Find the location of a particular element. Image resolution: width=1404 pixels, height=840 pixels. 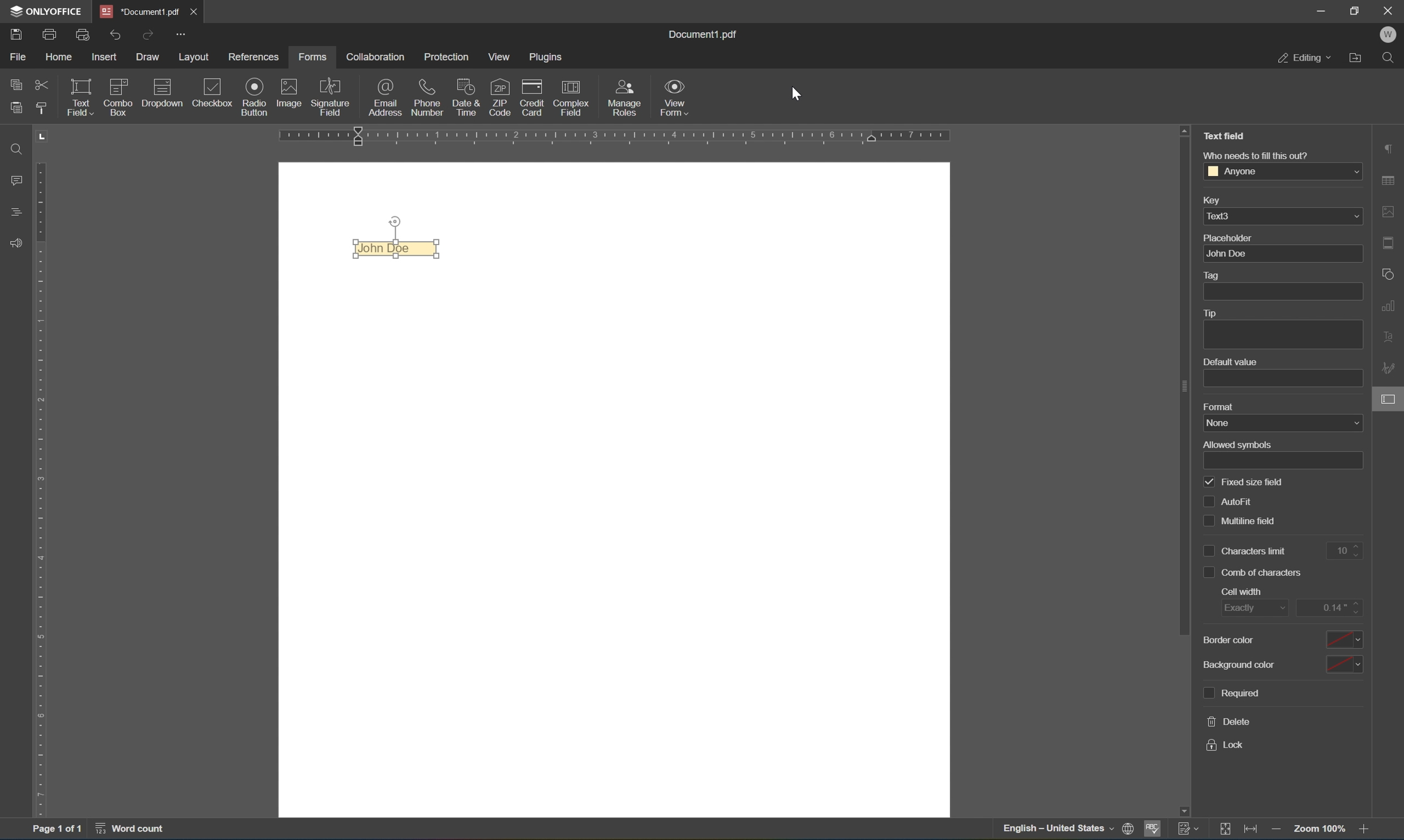

exactly is located at coordinates (1246, 607).